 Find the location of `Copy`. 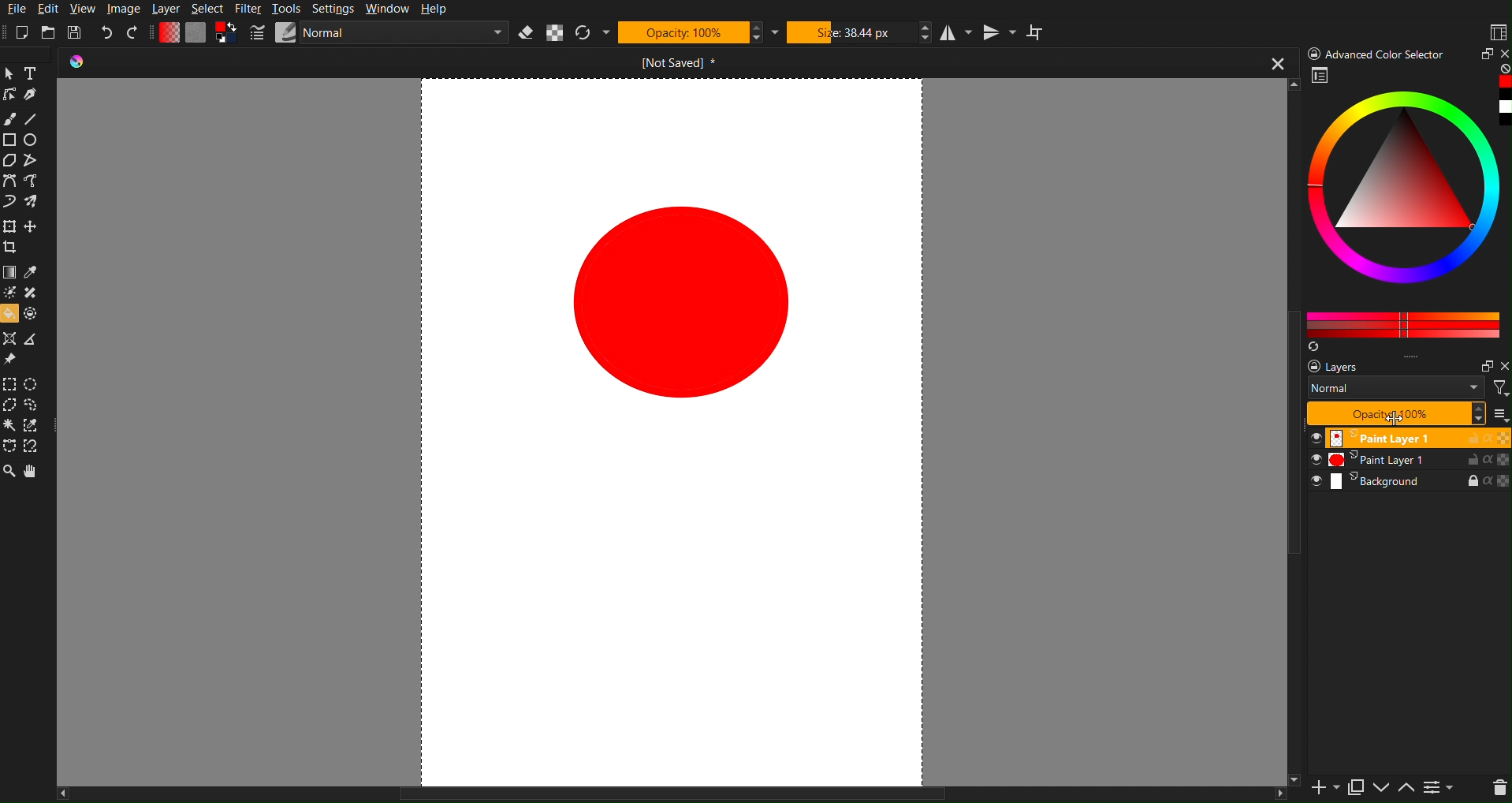

Copy is located at coordinates (1356, 790).